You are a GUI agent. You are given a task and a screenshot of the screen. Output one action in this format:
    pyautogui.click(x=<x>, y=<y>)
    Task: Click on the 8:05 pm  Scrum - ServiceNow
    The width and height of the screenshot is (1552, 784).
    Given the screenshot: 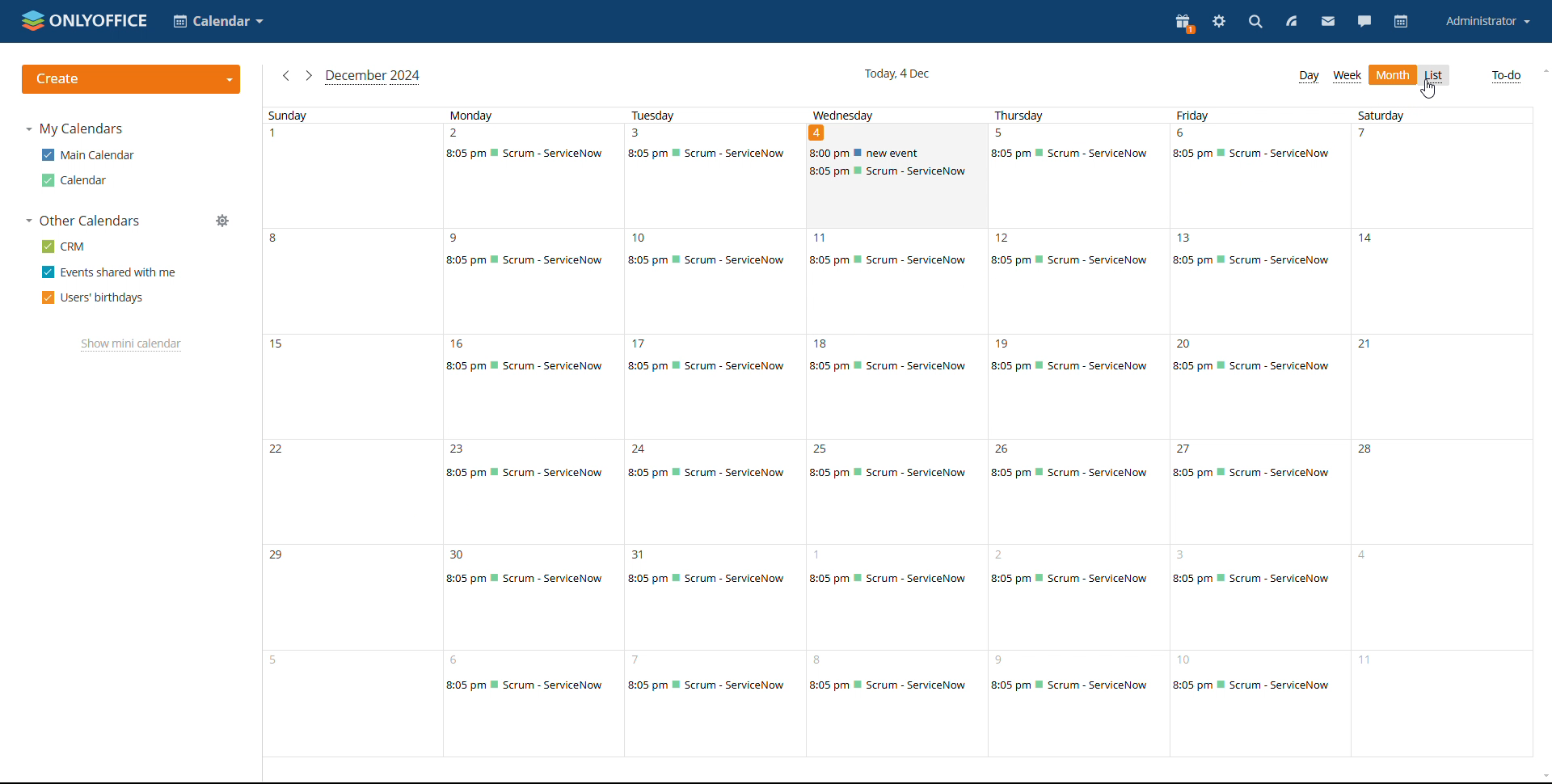 What is the action you would take?
    pyautogui.click(x=1253, y=154)
    